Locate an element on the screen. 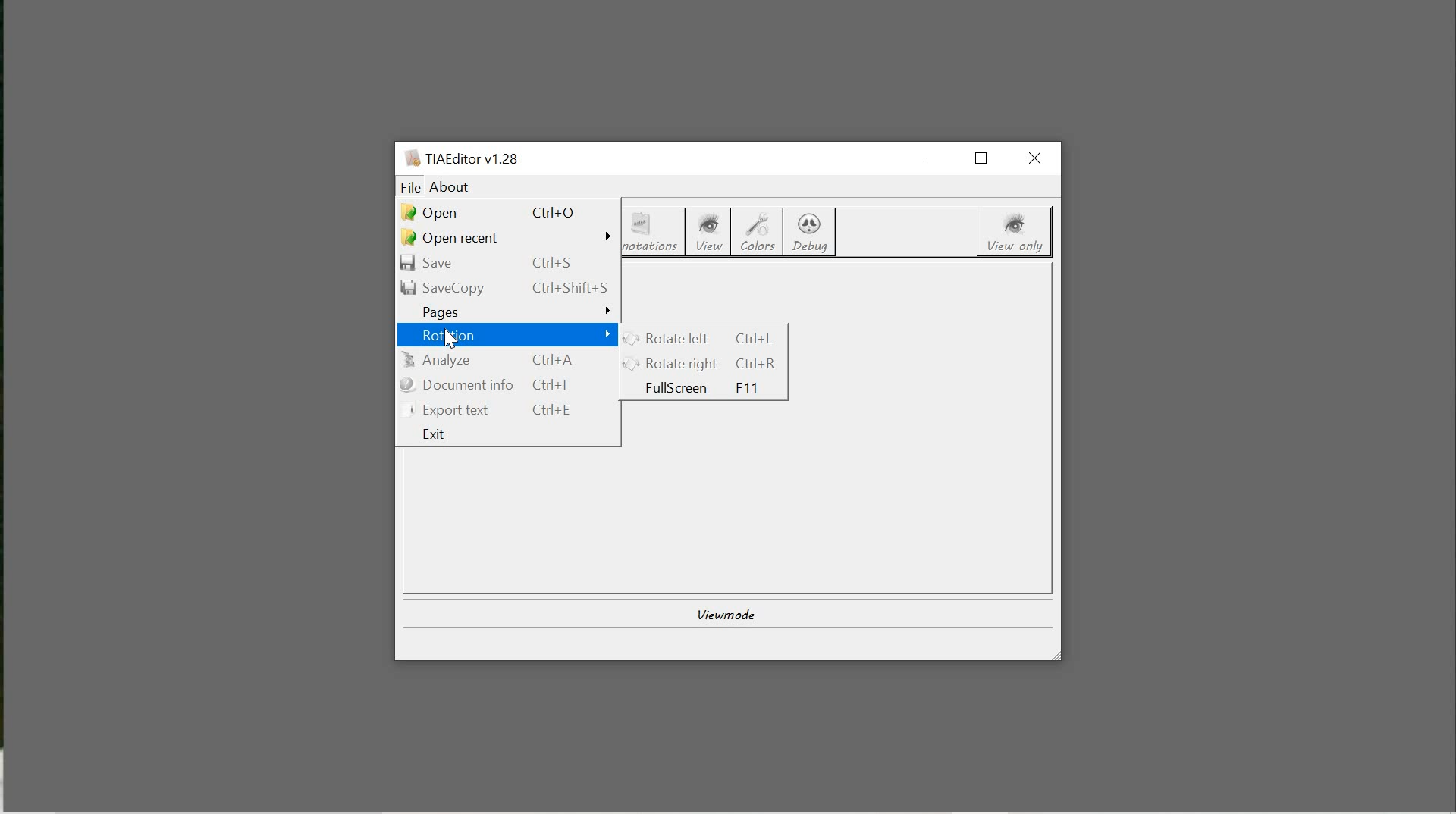  debug is located at coordinates (811, 232).